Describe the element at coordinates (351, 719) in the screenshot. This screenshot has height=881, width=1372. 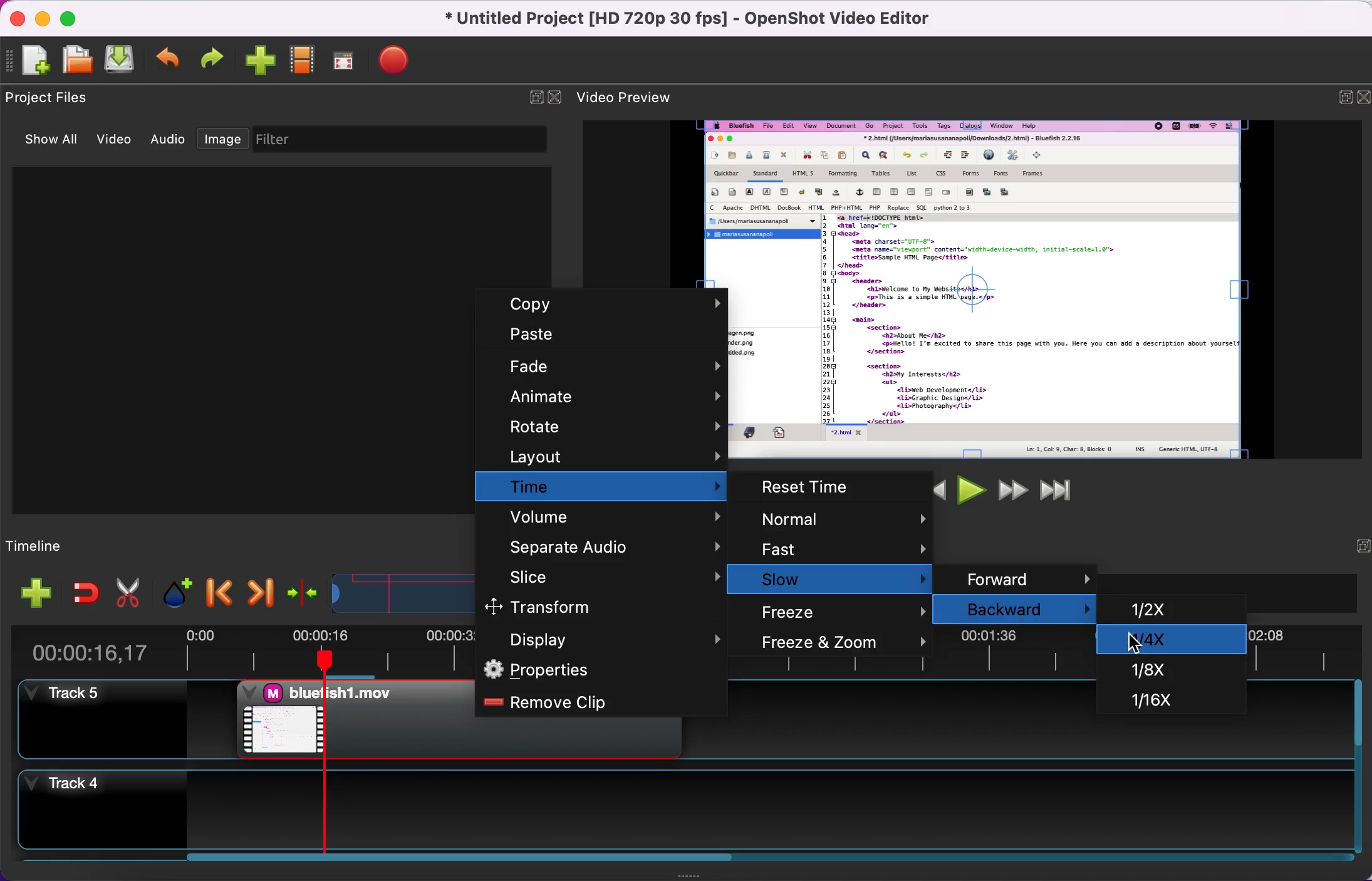
I see `video clip` at that location.